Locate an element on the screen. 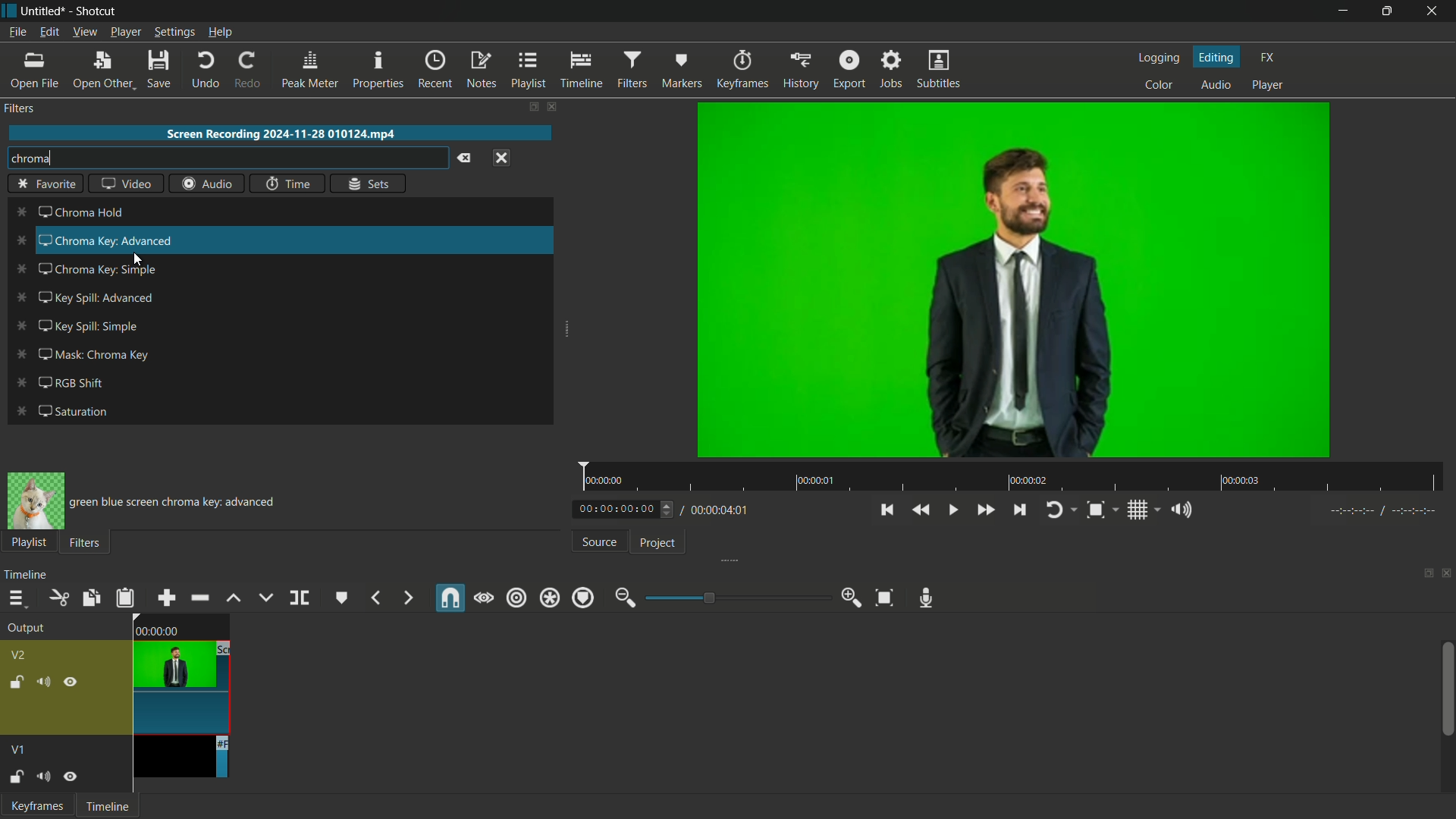 The height and width of the screenshot is (819, 1456). cut is located at coordinates (57, 597).